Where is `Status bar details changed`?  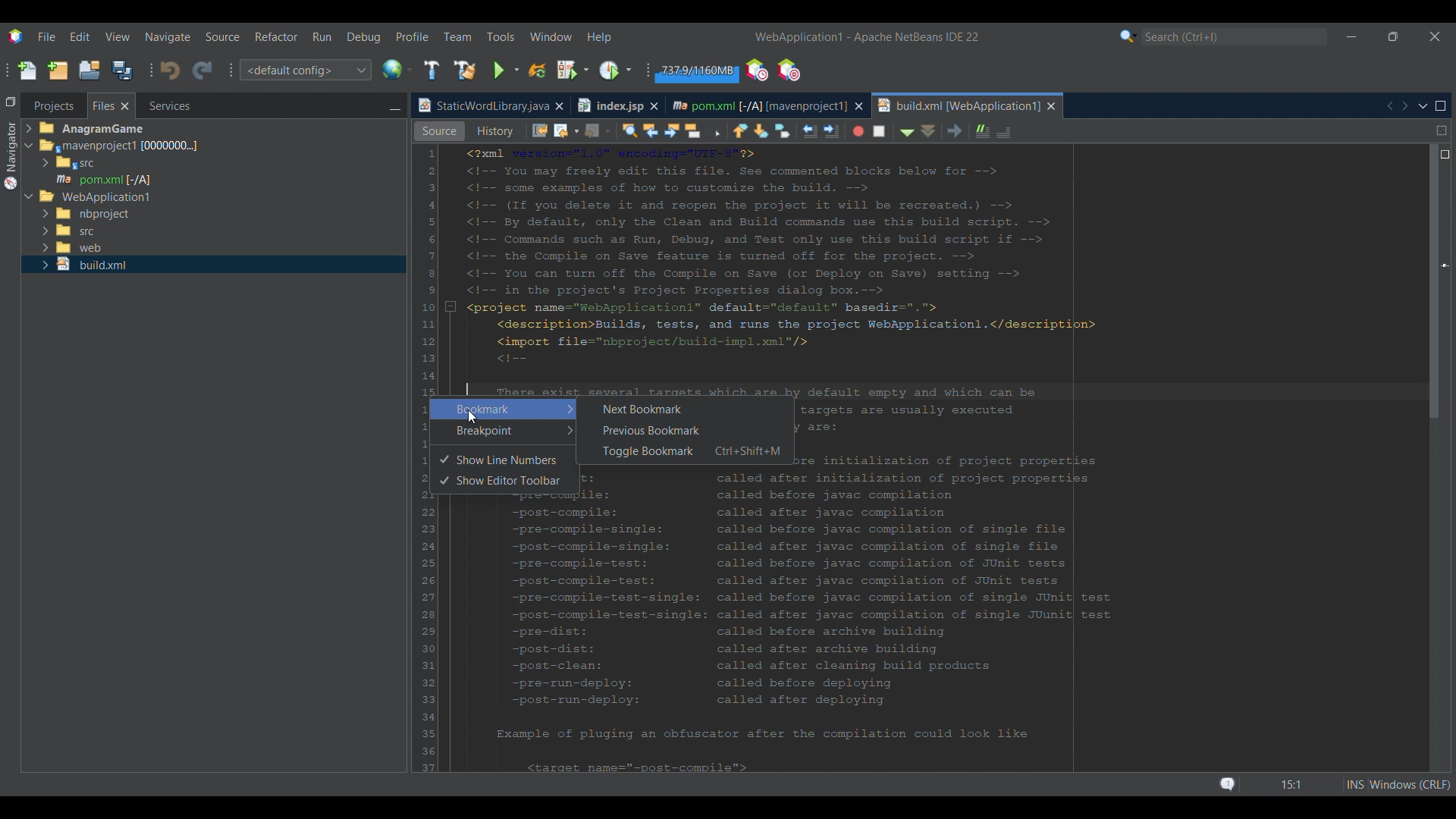 Status bar details changed is located at coordinates (1316, 785).